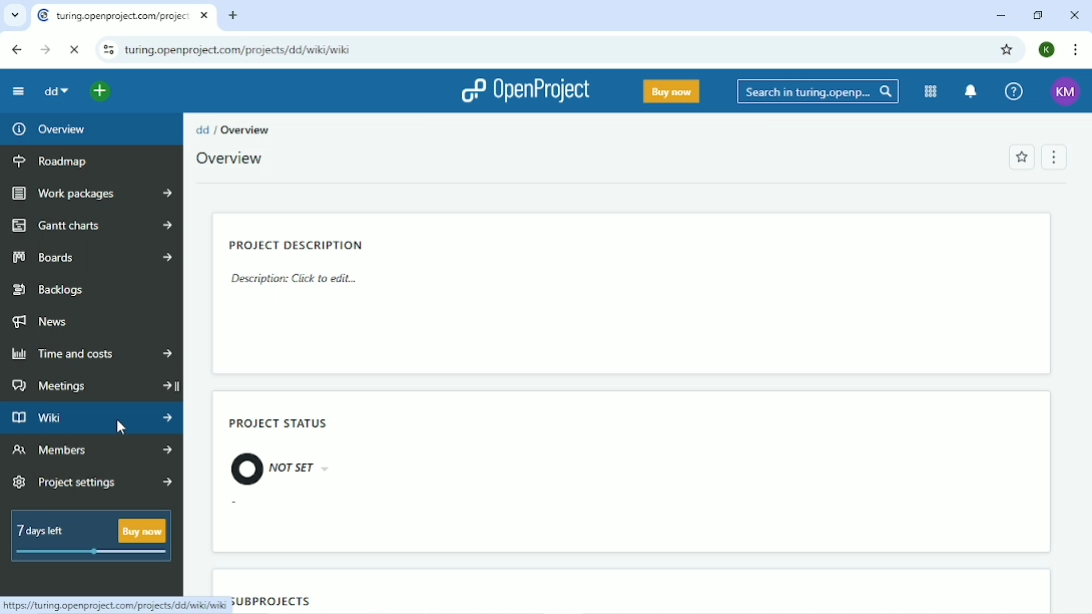  What do you see at coordinates (1047, 50) in the screenshot?
I see `Account` at bounding box center [1047, 50].